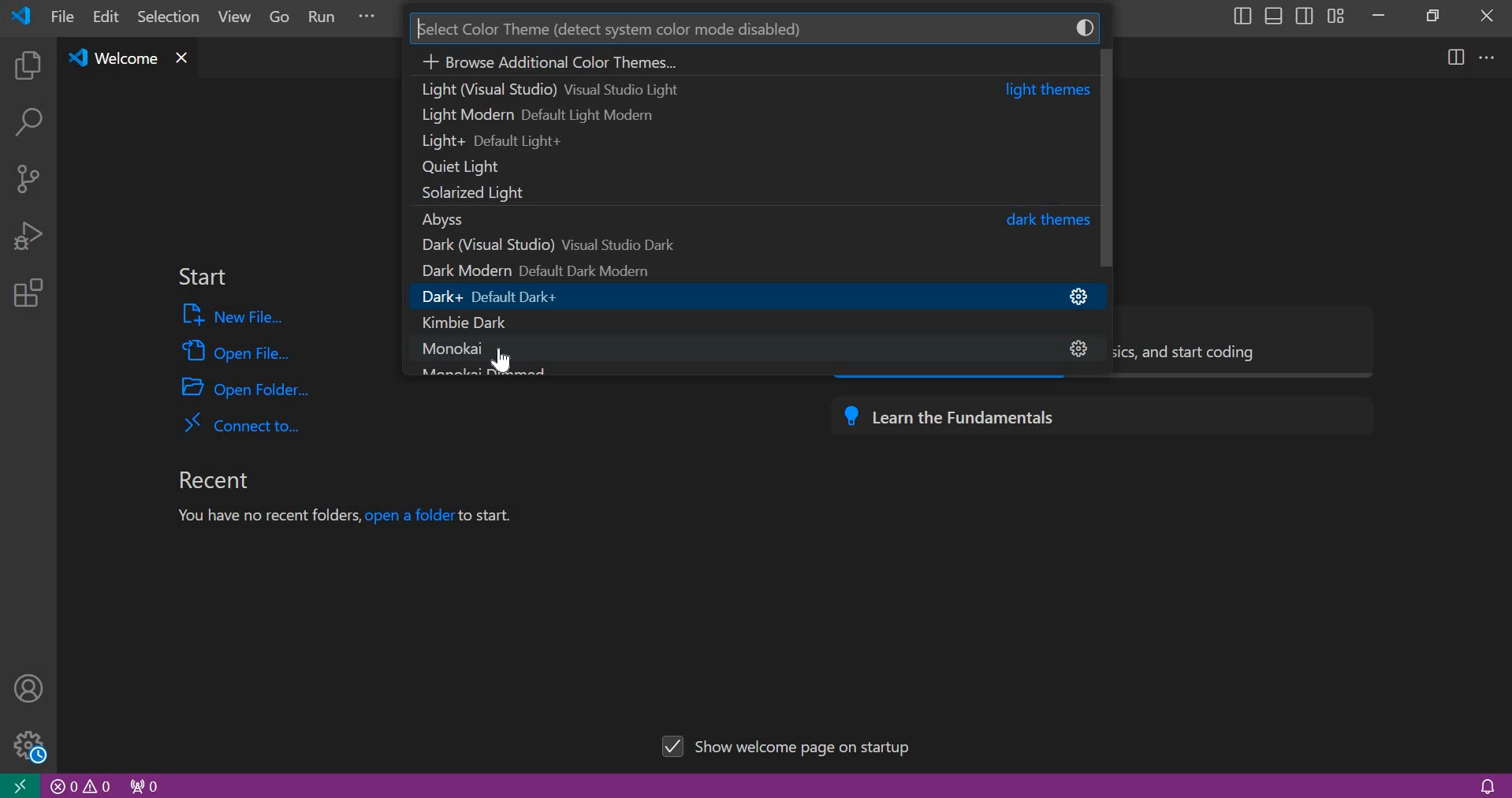 Image resolution: width=1512 pixels, height=798 pixels. I want to click on kimbie dark, so click(744, 323).